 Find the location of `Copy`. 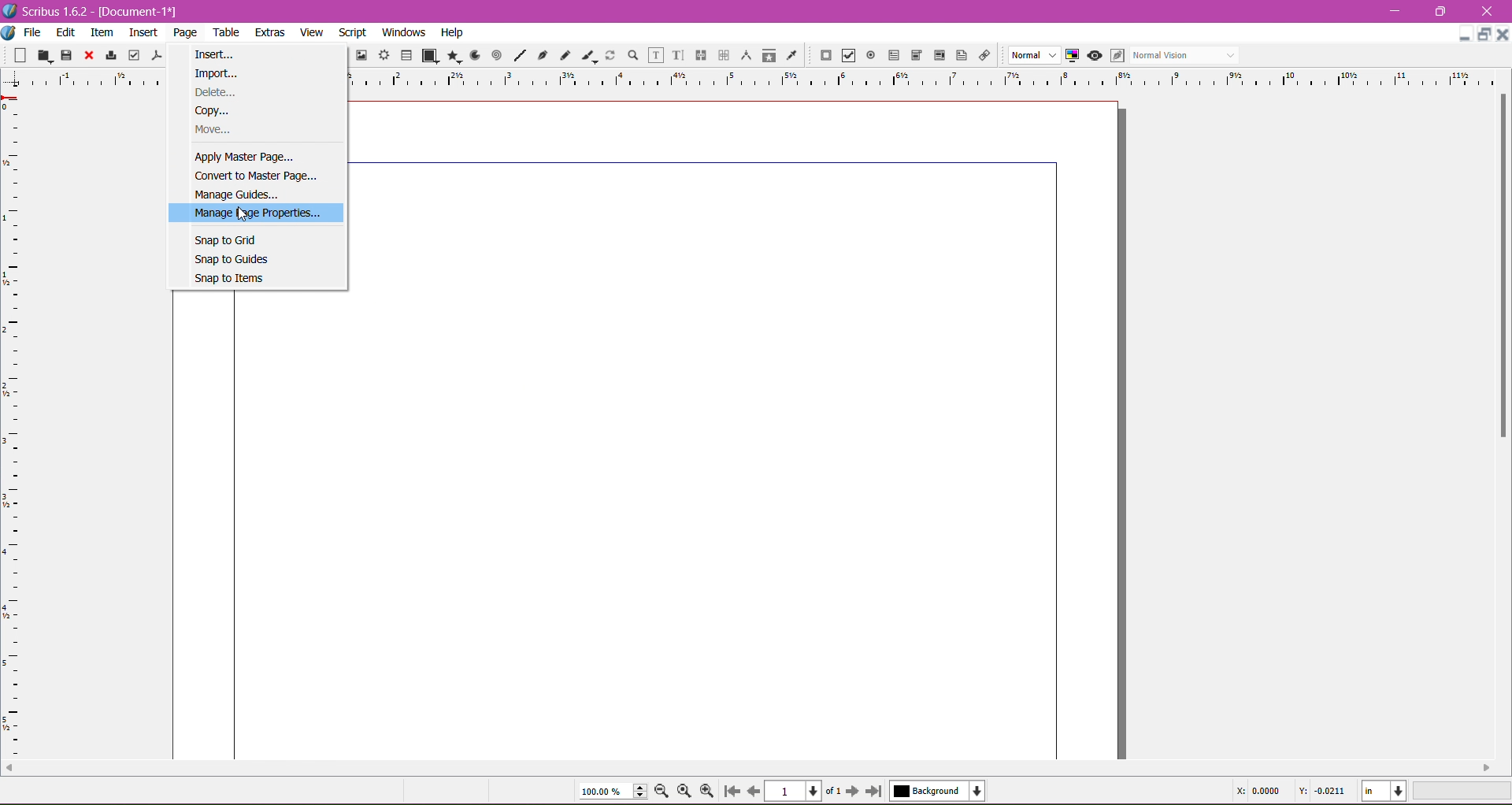

Copy is located at coordinates (220, 112).